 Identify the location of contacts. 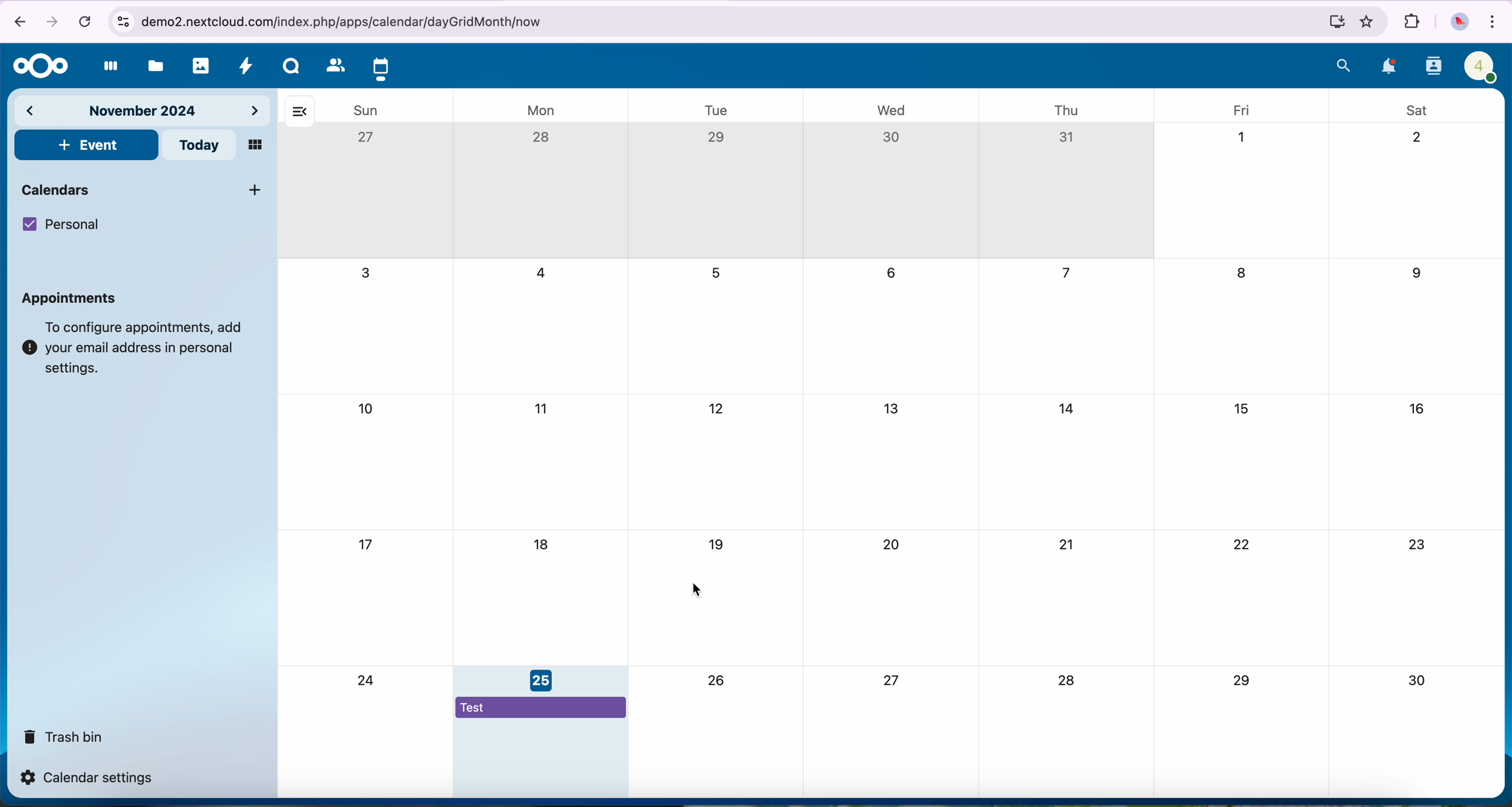
(330, 65).